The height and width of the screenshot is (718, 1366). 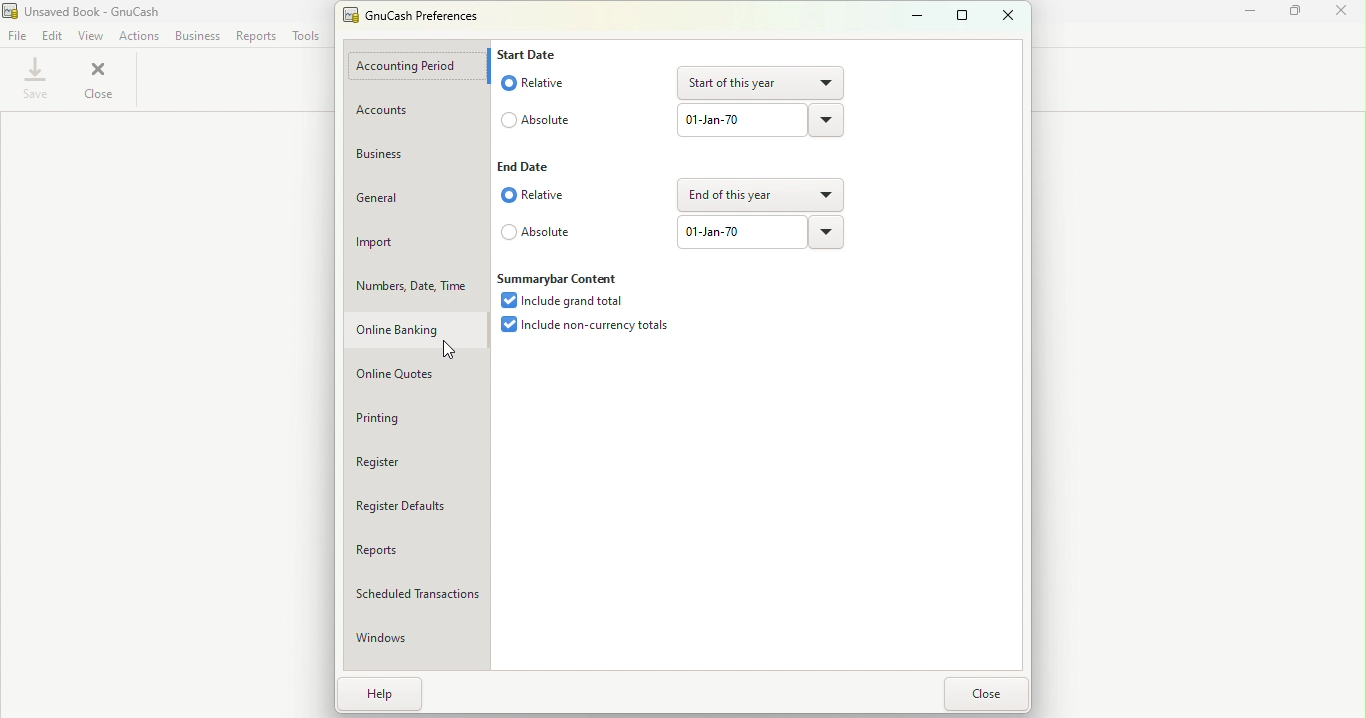 What do you see at coordinates (136, 38) in the screenshot?
I see `Actions` at bounding box center [136, 38].